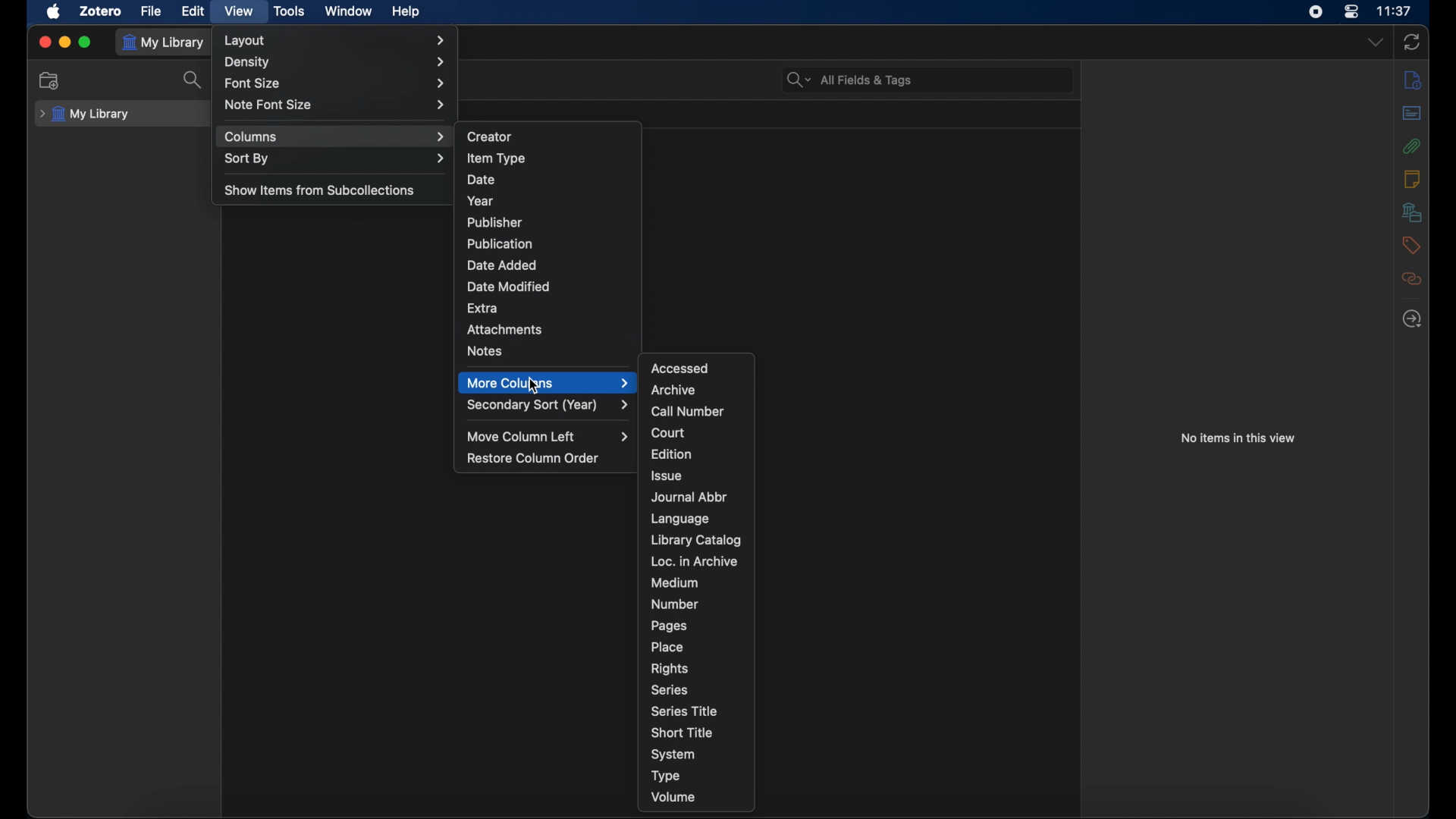 The image size is (1456, 819). I want to click on attachments, so click(508, 330).